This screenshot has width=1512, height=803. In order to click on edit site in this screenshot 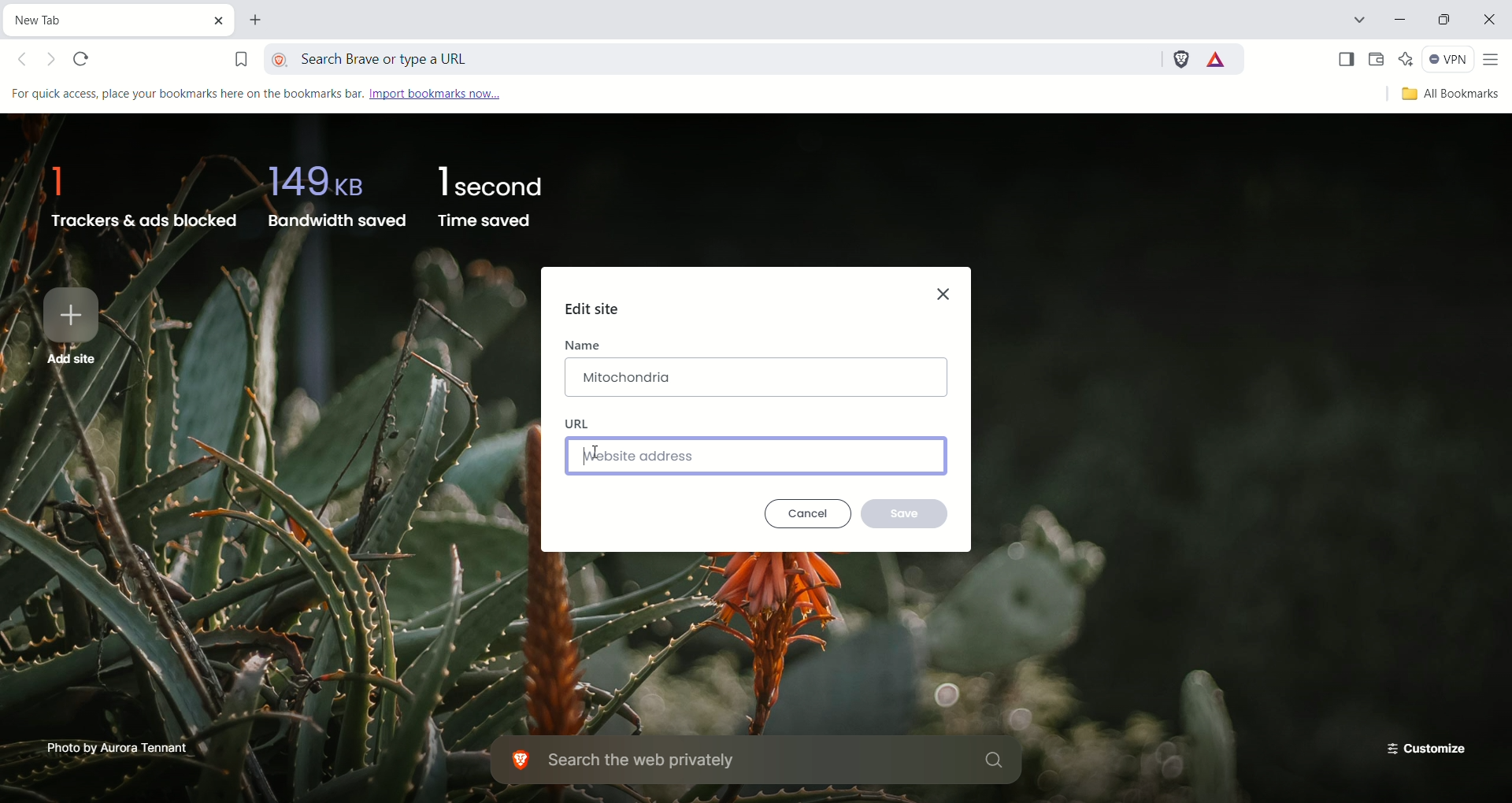, I will do `click(594, 310)`.